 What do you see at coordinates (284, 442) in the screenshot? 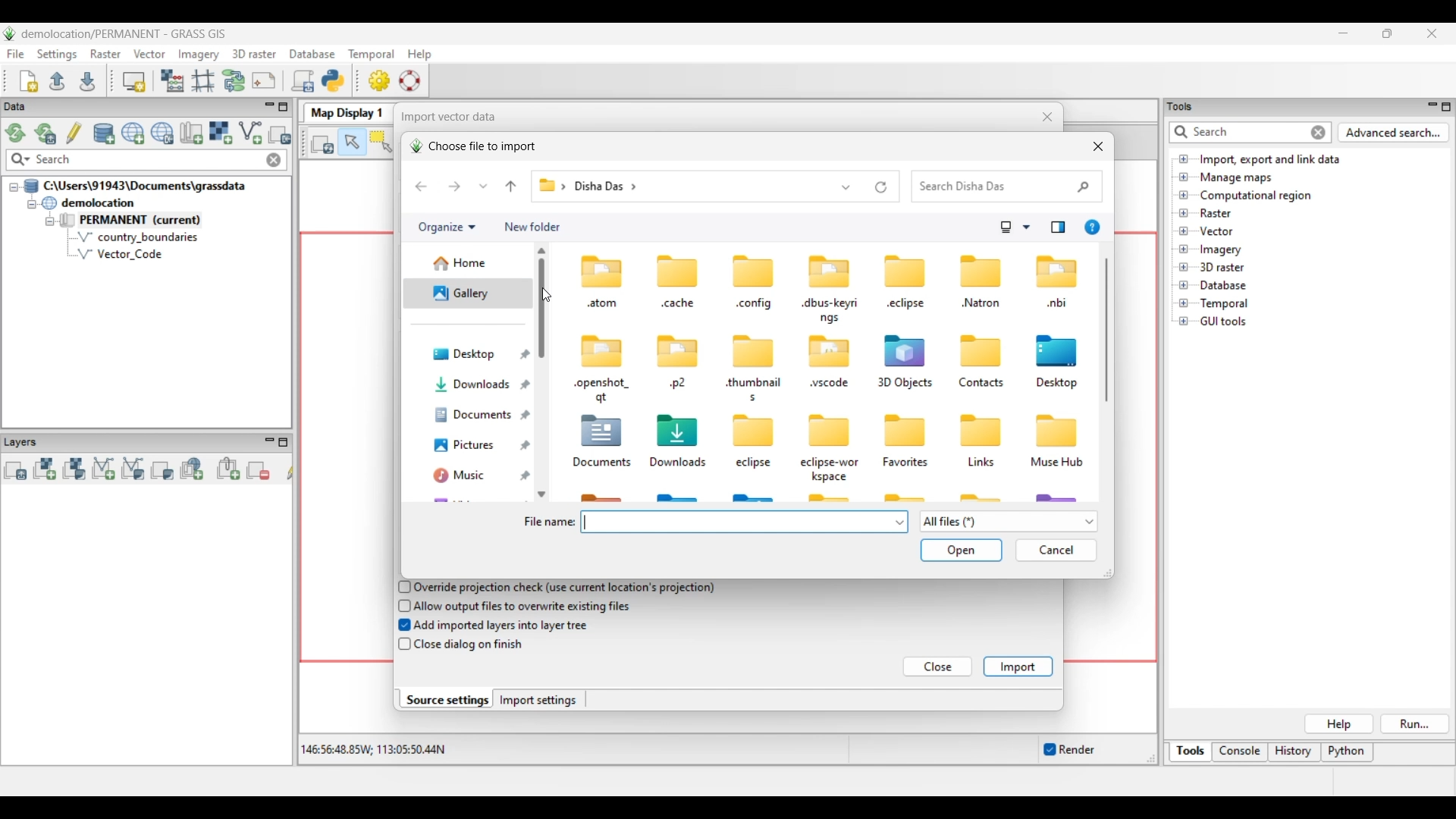
I see `Maximize Layers panel` at bounding box center [284, 442].